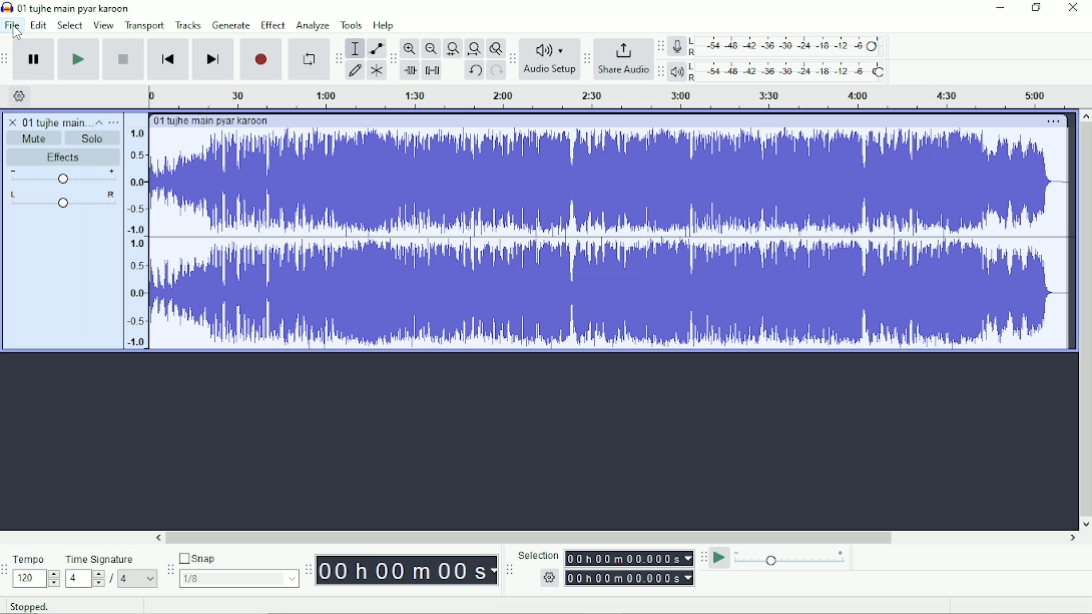 Image resolution: width=1092 pixels, height=614 pixels. What do you see at coordinates (308, 569) in the screenshot?
I see `Audacity time toolbar` at bounding box center [308, 569].